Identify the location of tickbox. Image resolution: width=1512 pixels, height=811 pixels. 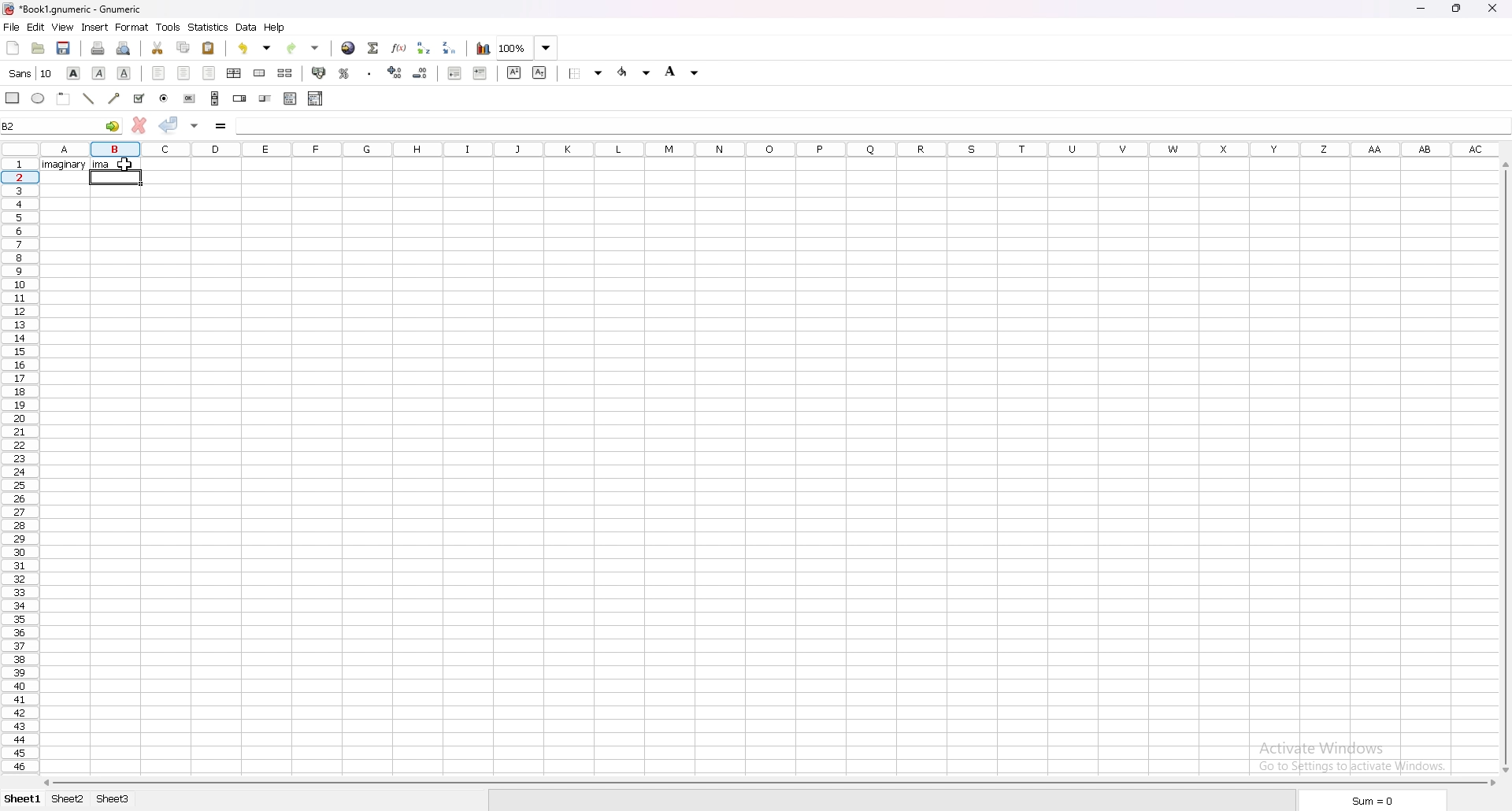
(139, 98).